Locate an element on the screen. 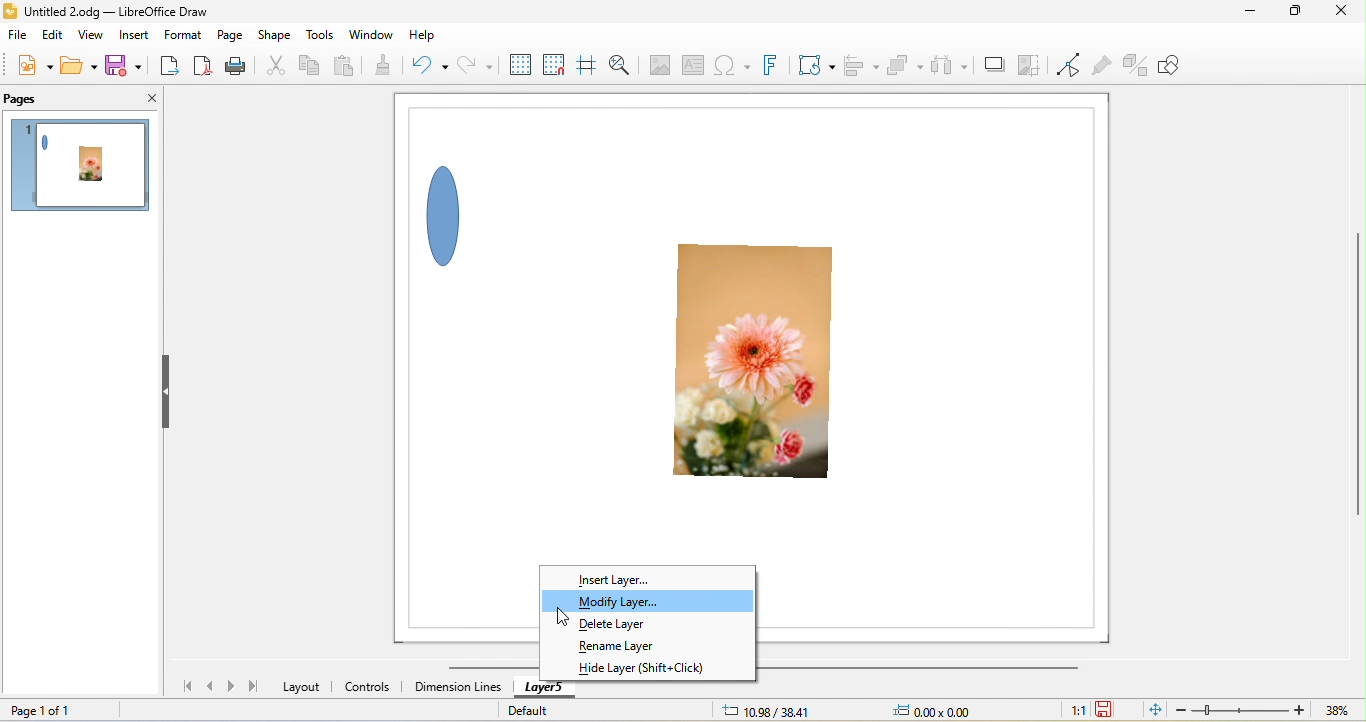  snap to grid is located at coordinates (556, 64).